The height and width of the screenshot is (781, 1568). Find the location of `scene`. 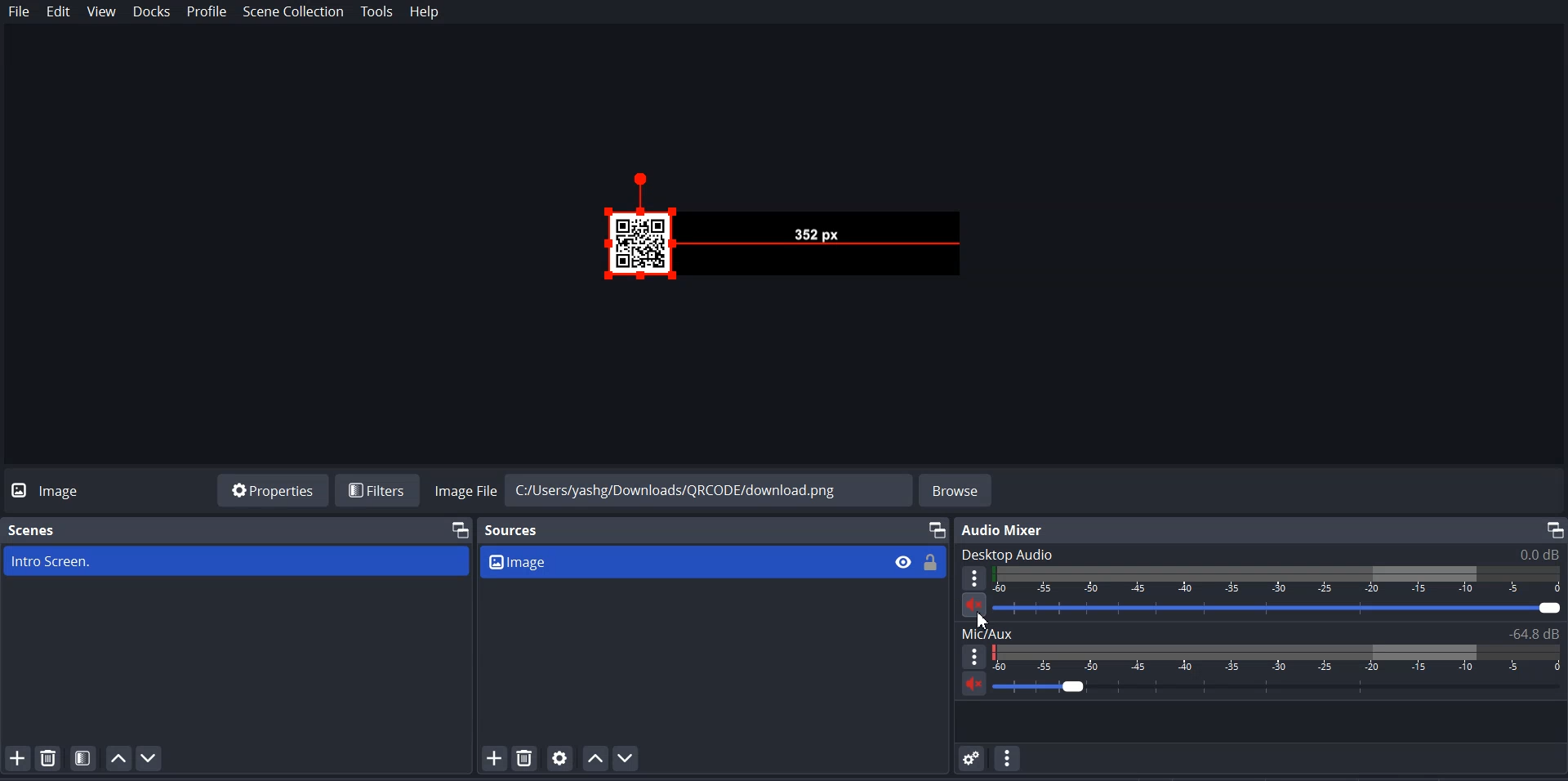

scene is located at coordinates (237, 560).